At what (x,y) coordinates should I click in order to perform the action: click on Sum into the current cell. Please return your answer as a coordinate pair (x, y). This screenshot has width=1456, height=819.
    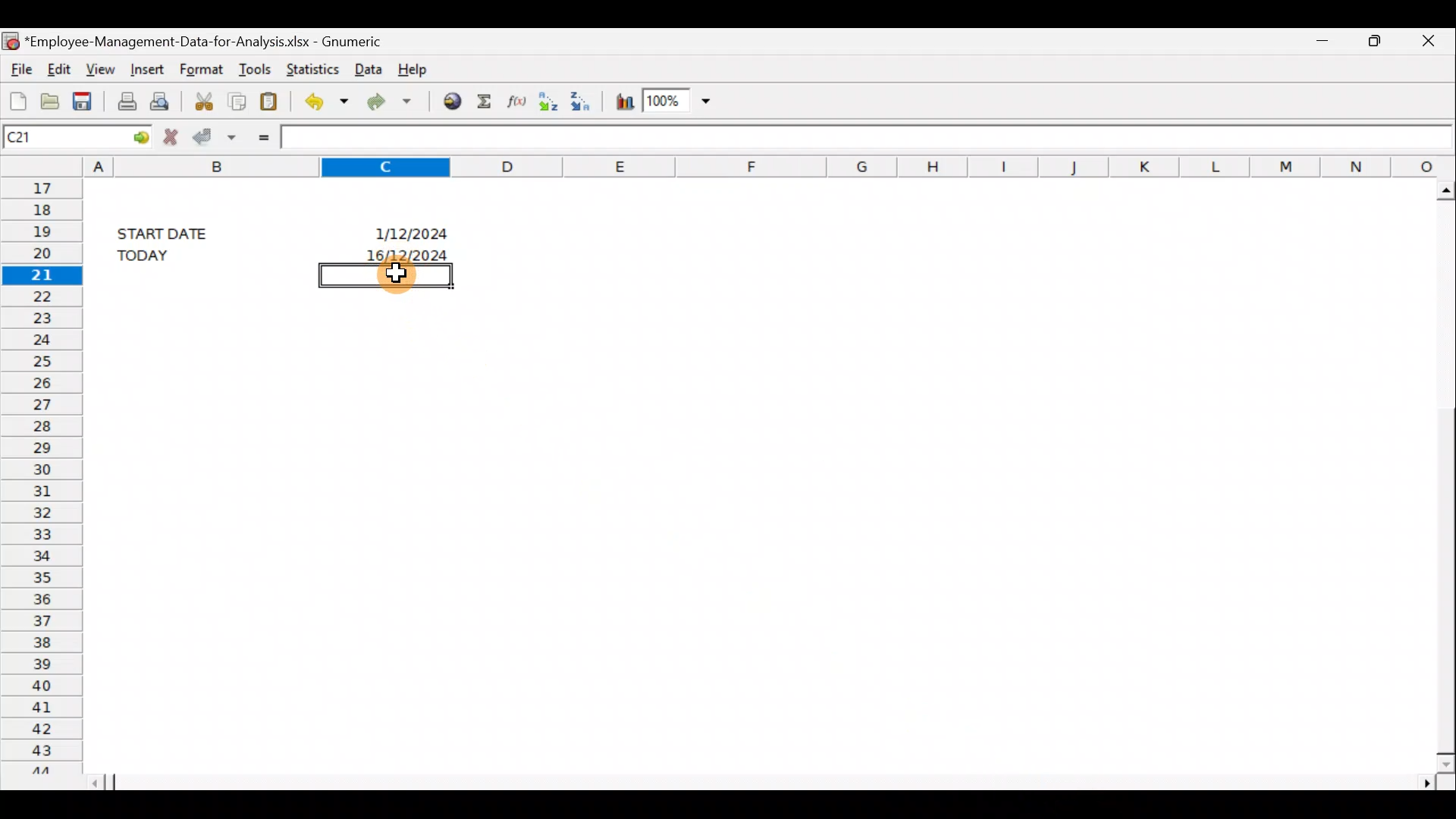
    Looking at the image, I should click on (484, 102).